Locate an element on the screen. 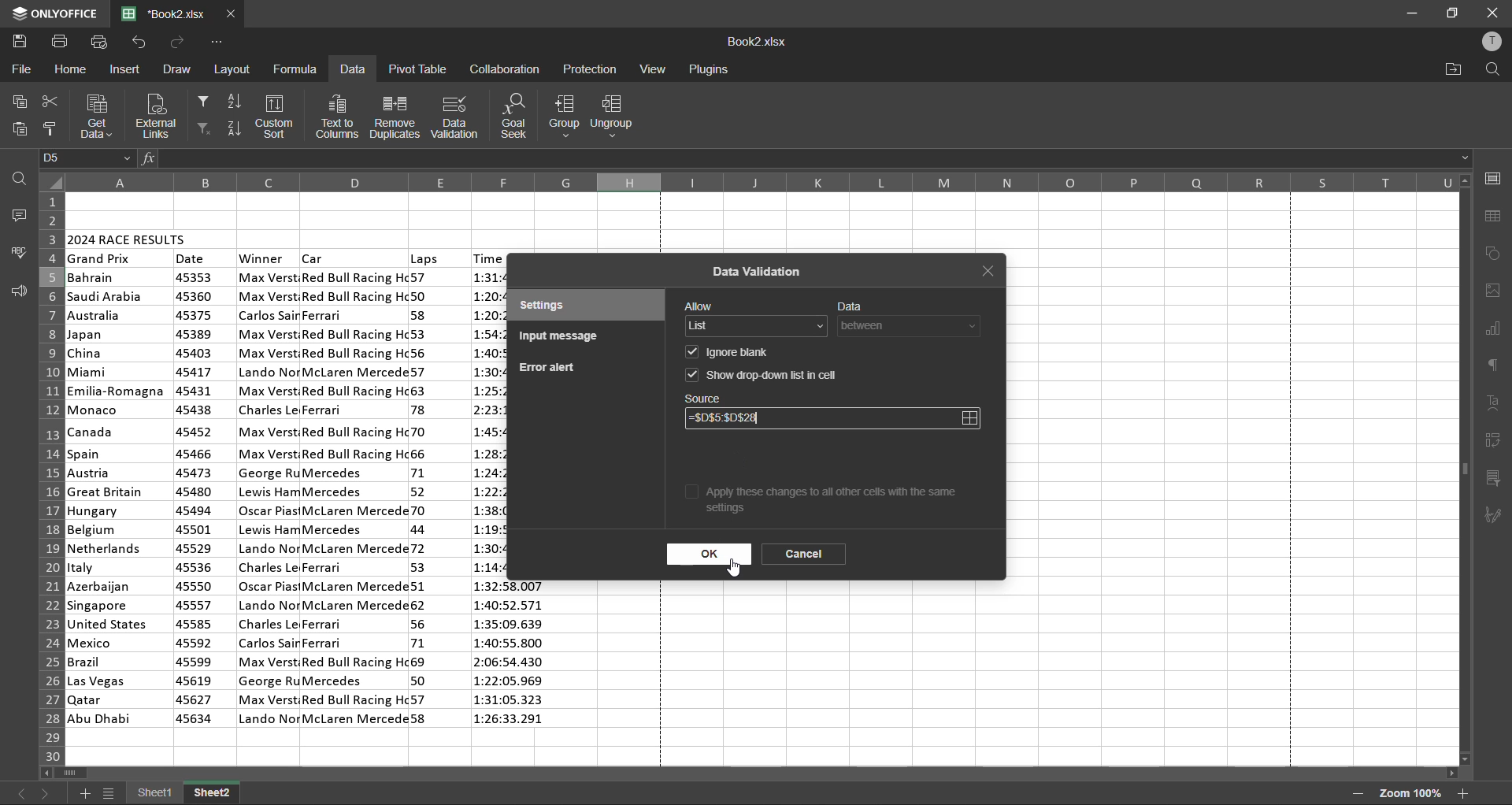 Image resolution: width=1512 pixels, height=805 pixels. ok is located at coordinates (710, 554).